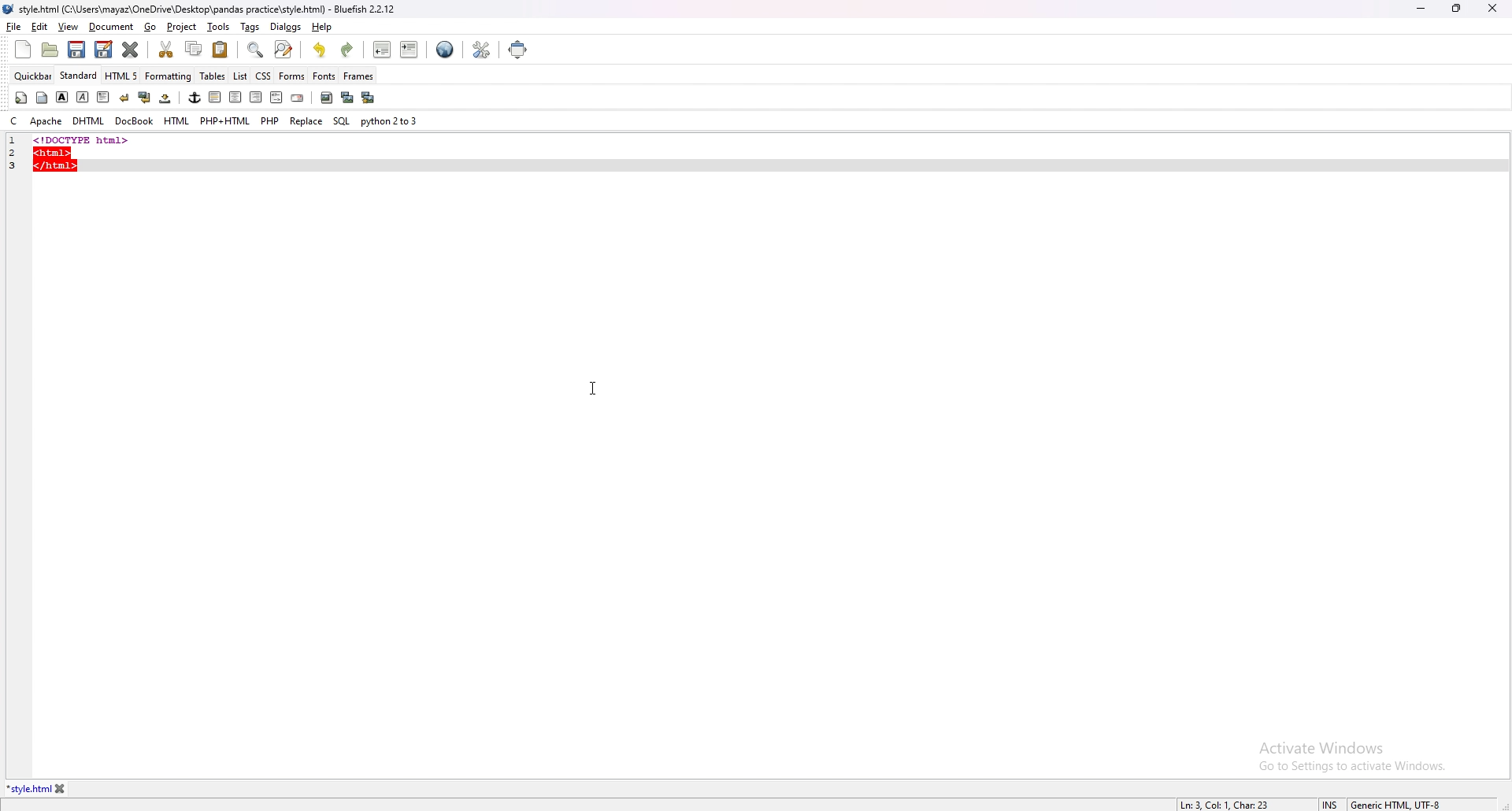 The image size is (1512, 811). What do you see at coordinates (1330, 804) in the screenshot?
I see `cursor mode` at bounding box center [1330, 804].